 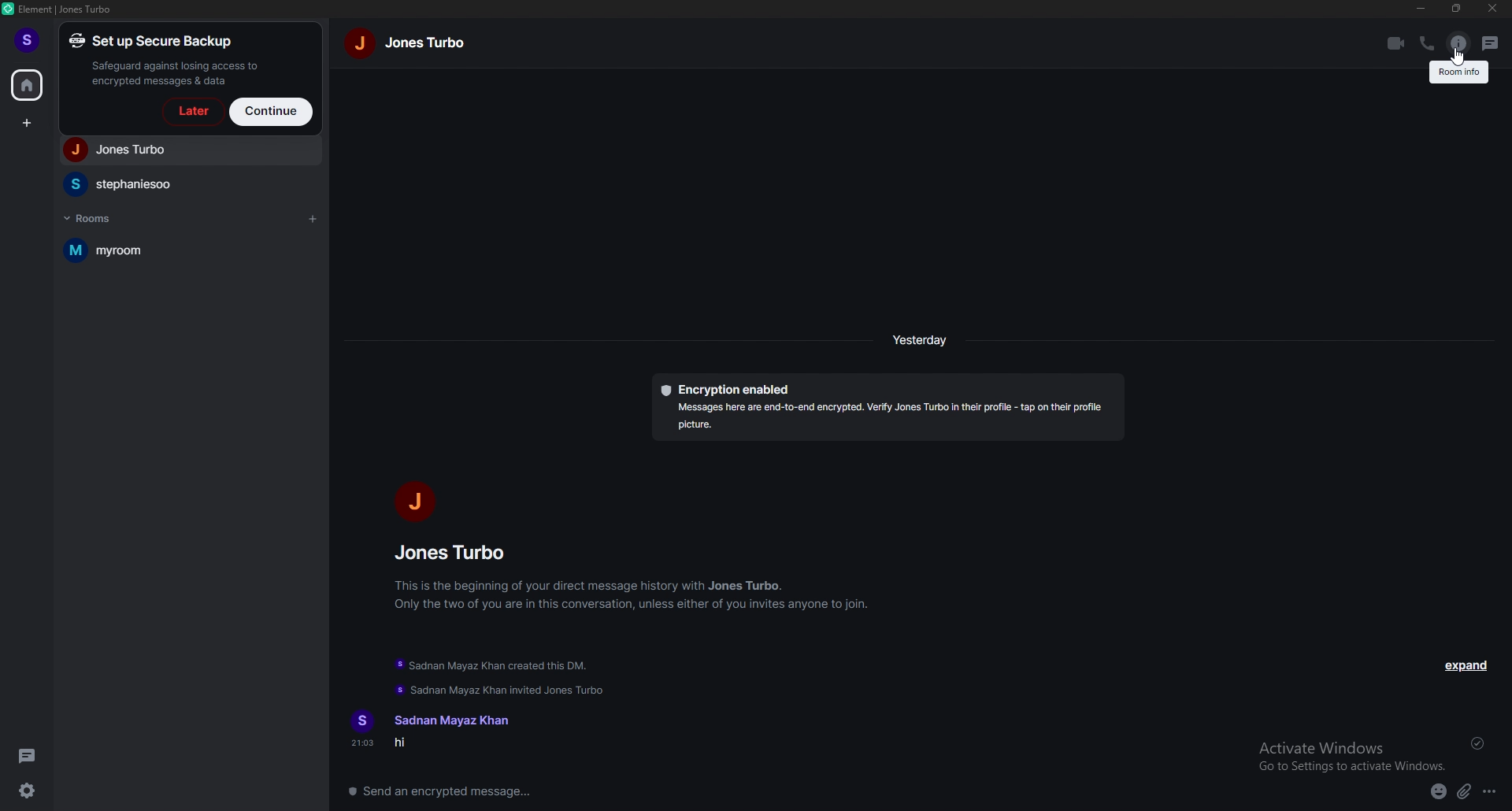 I want to click on threads, so click(x=1491, y=43).